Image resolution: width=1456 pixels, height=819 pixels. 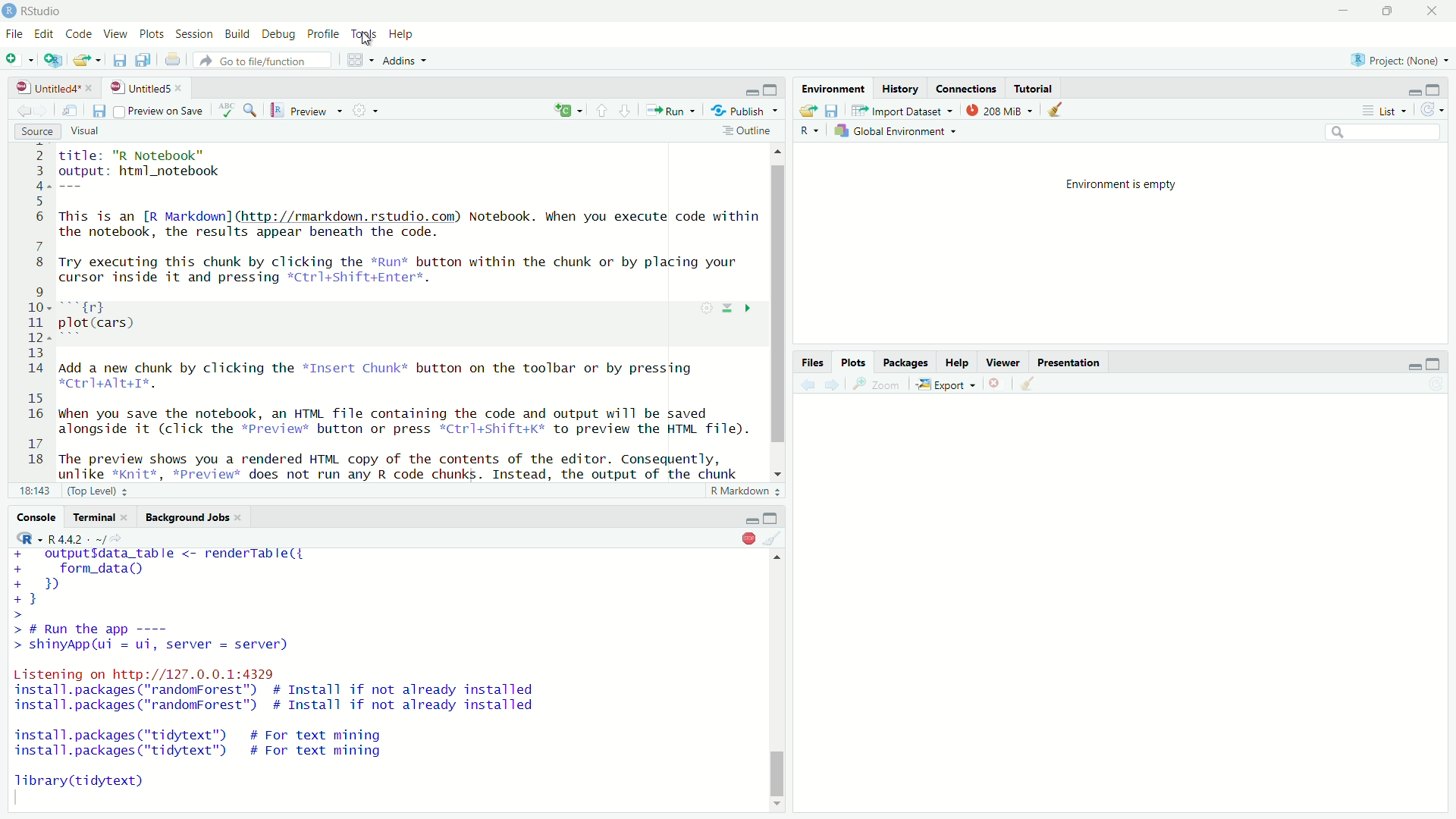 I want to click on scrollbar up, so click(x=778, y=557).